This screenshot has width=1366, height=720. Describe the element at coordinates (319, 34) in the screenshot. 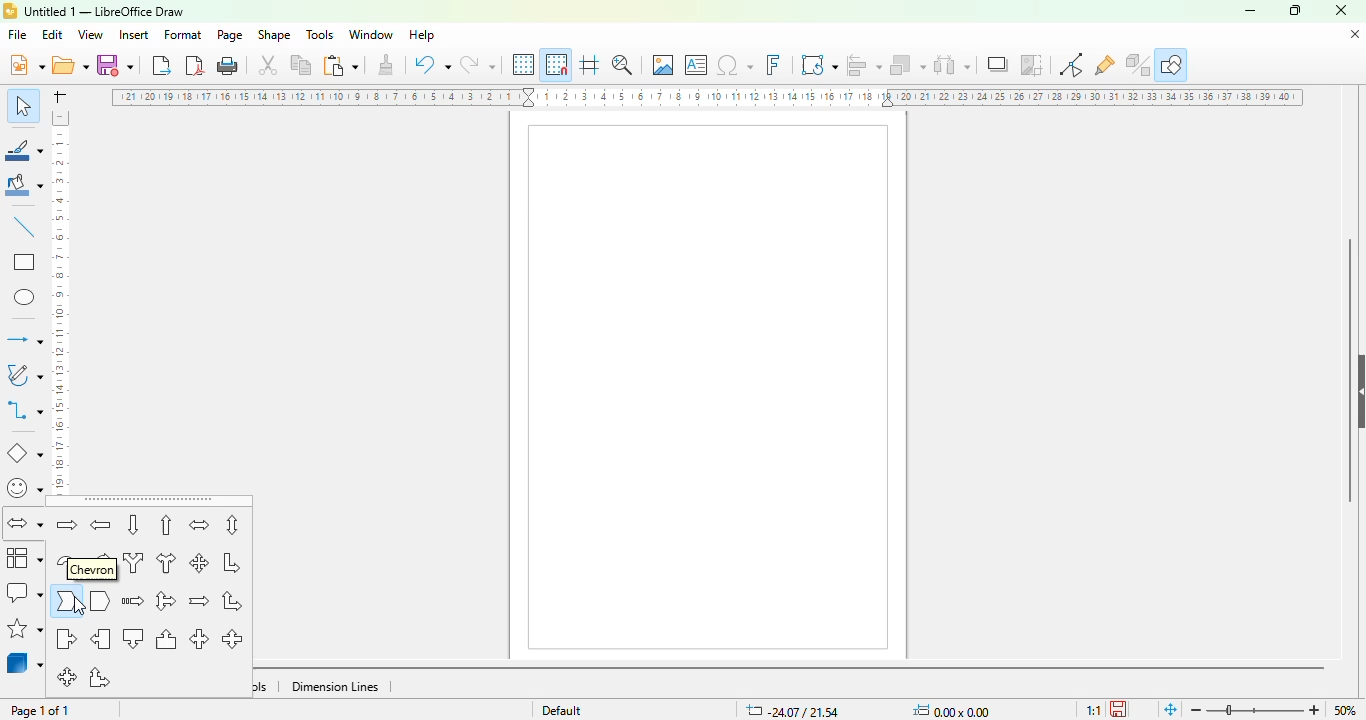

I see `tools` at that location.